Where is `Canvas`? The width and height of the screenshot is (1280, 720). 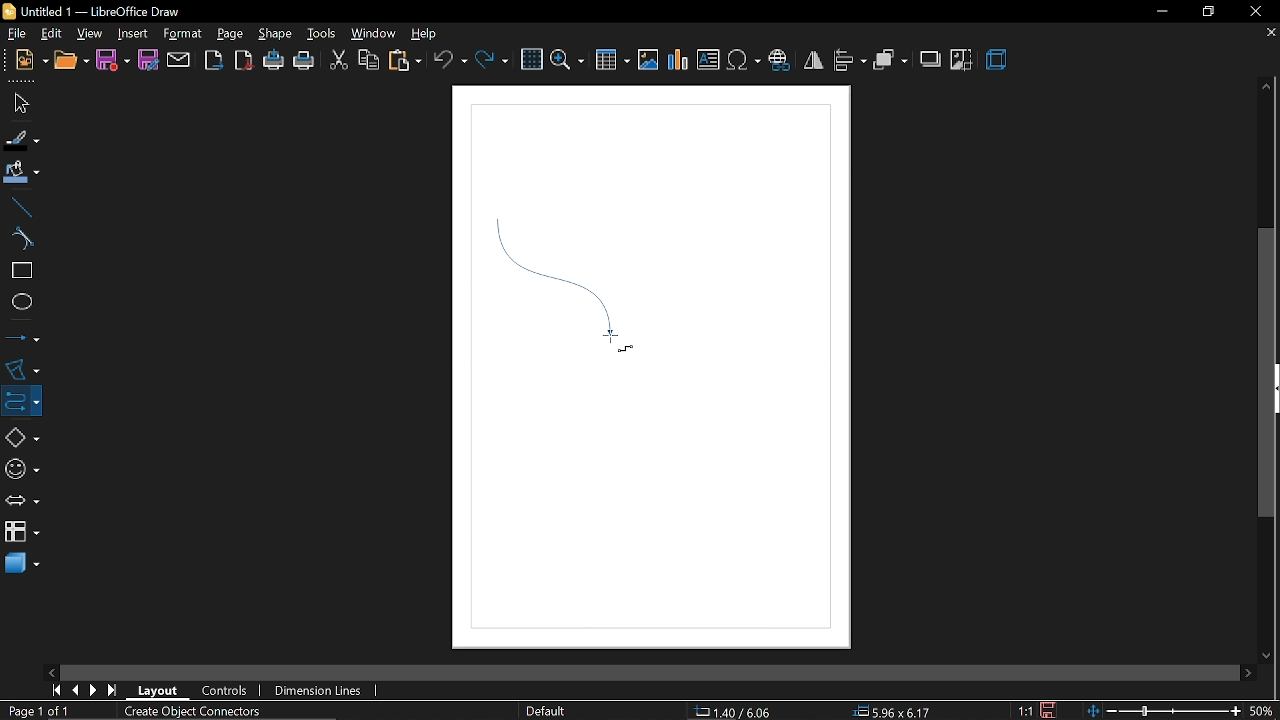
Canvas is located at coordinates (652, 370).